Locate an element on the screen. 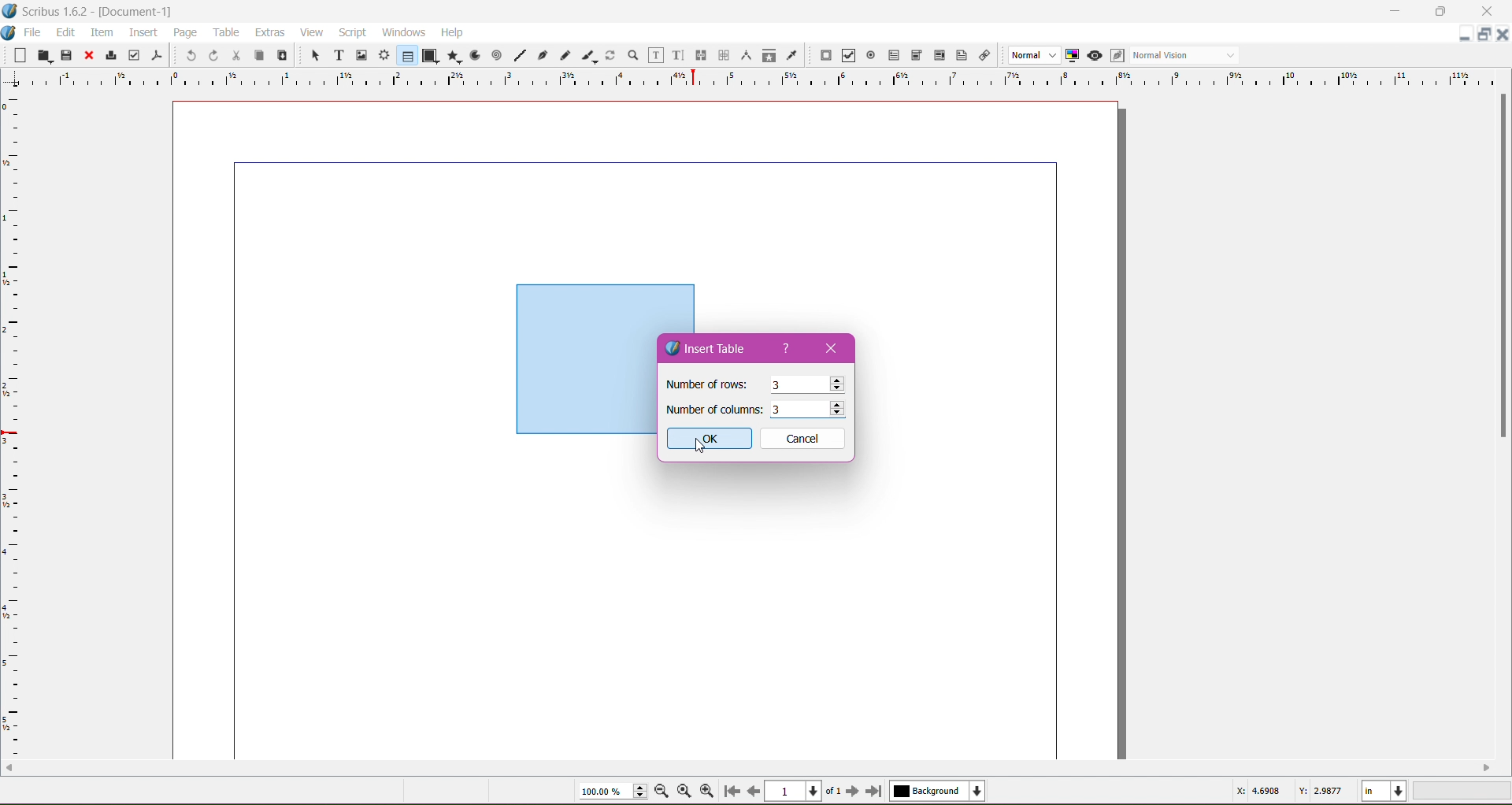  PDF Text Fields is located at coordinates (891, 56).